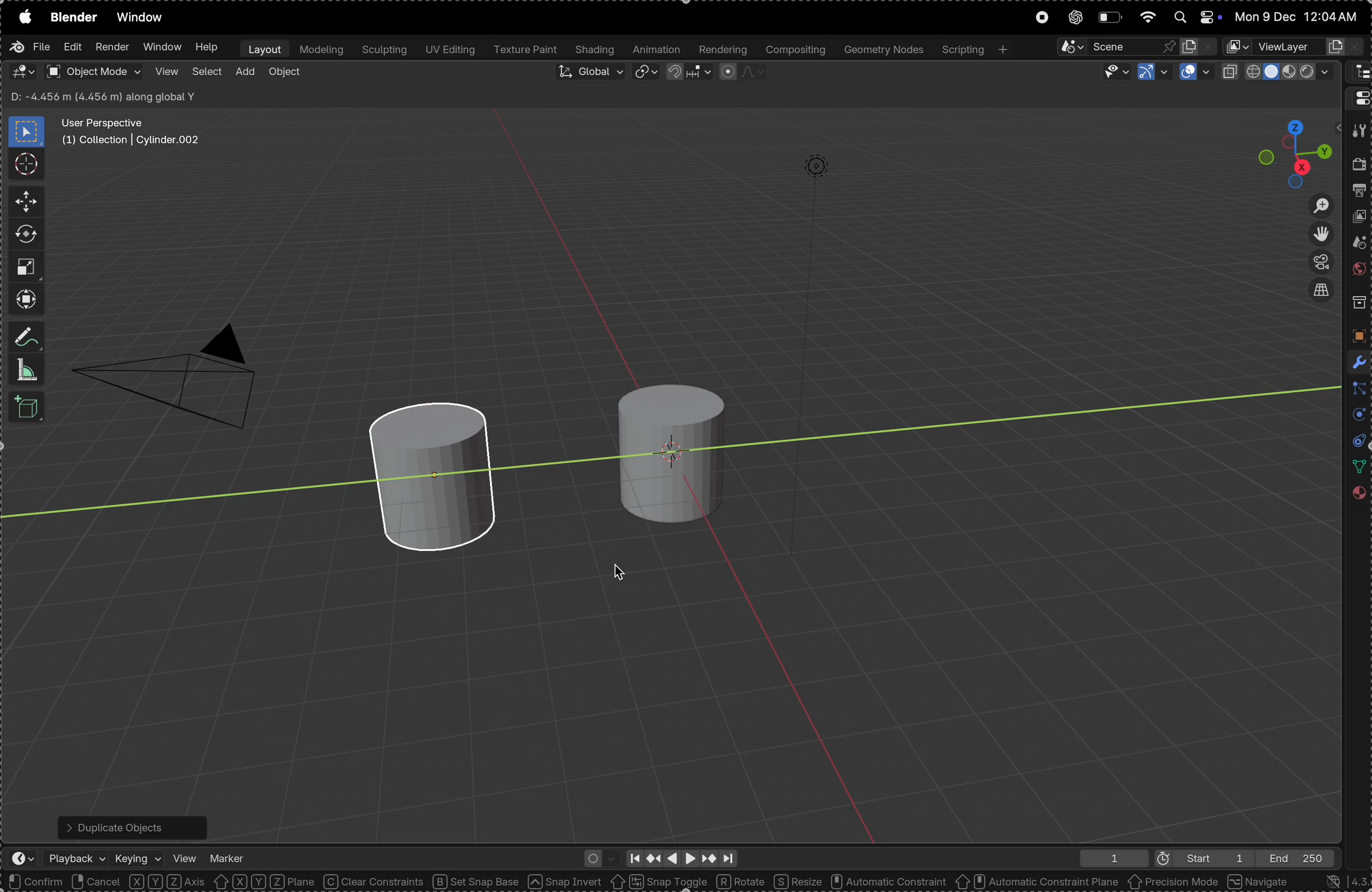 Image resolution: width=1372 pixels, height=892 pixels. What do you see at coordinates (1197, 857) in the screenshot?
I see `start 1` at bounding box center [1197, 857].